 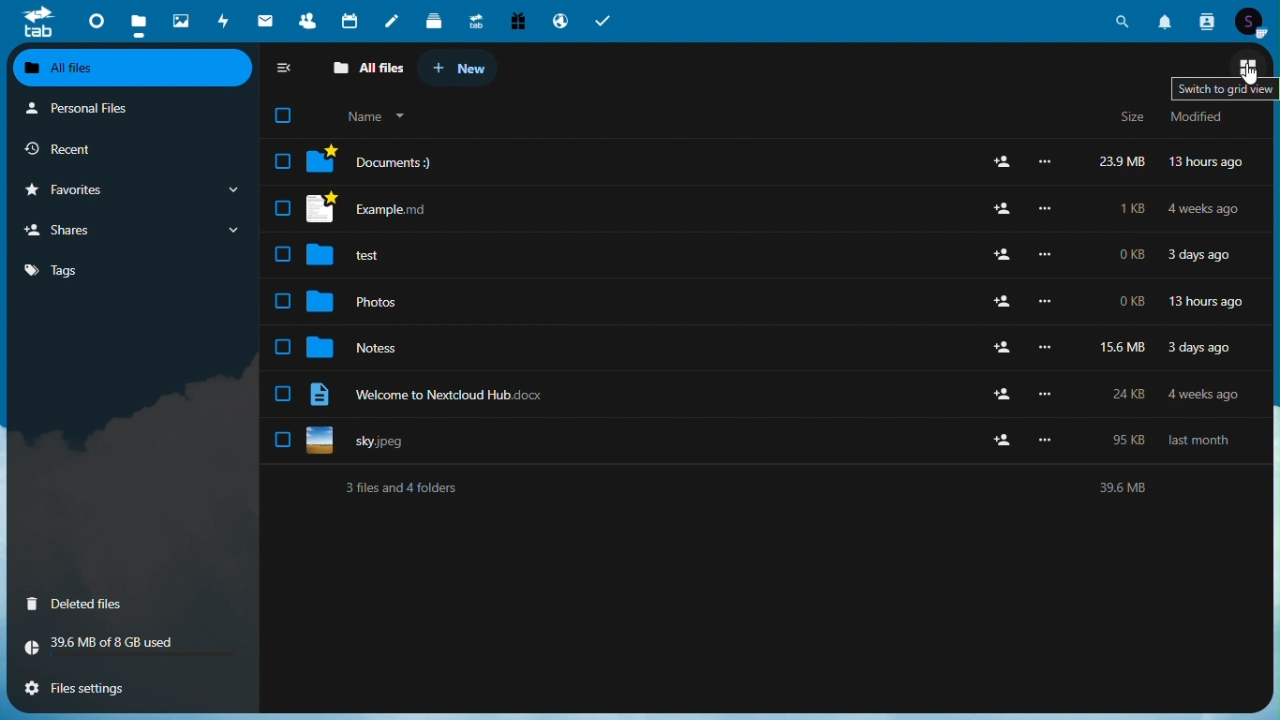 What do you see at coordinates (322, 254) in the screenshot?
I see `folder` at bounding box center [322, 254].